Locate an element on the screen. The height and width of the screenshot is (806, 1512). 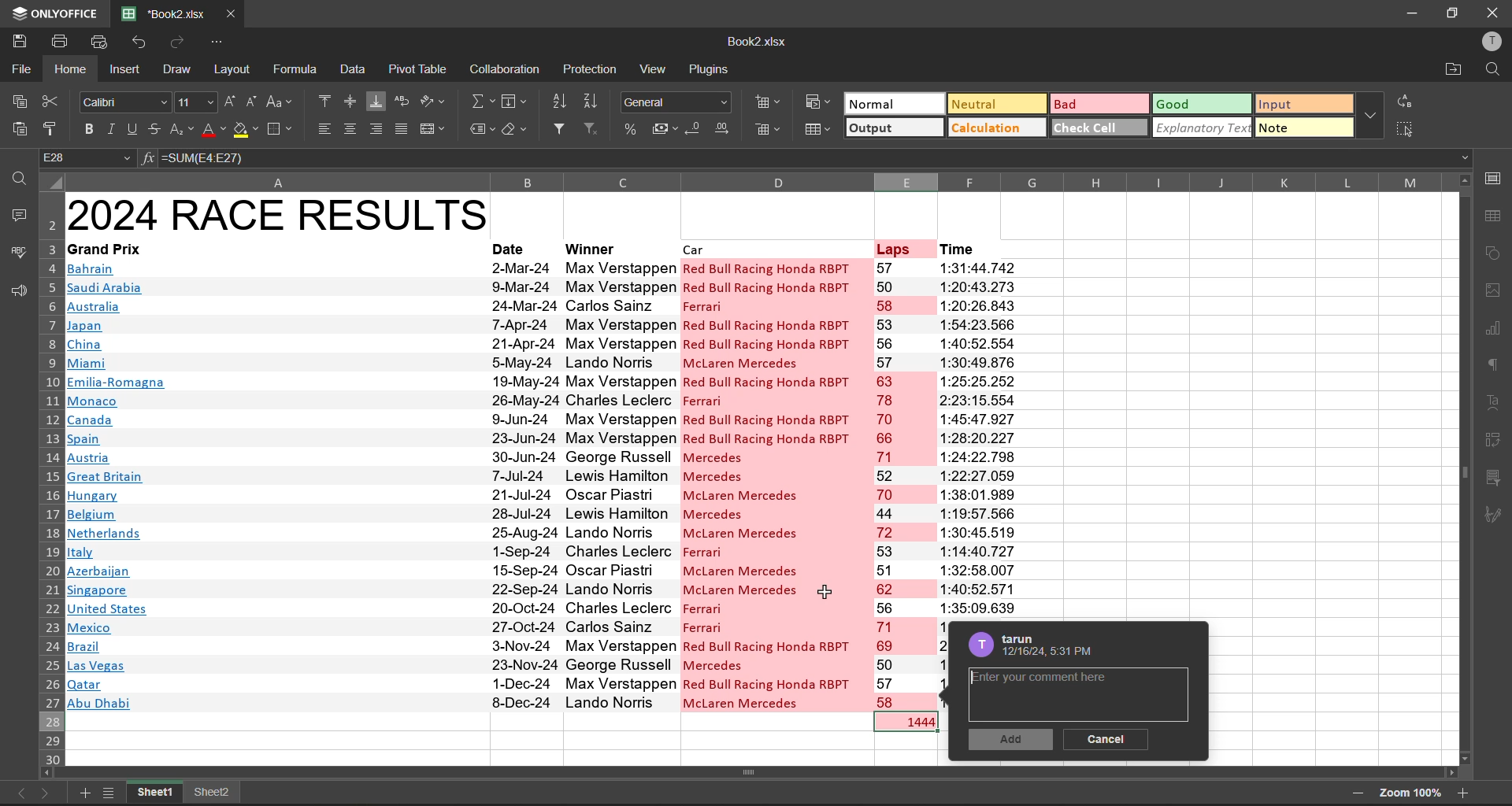
home is located at coordinates (70, 70).